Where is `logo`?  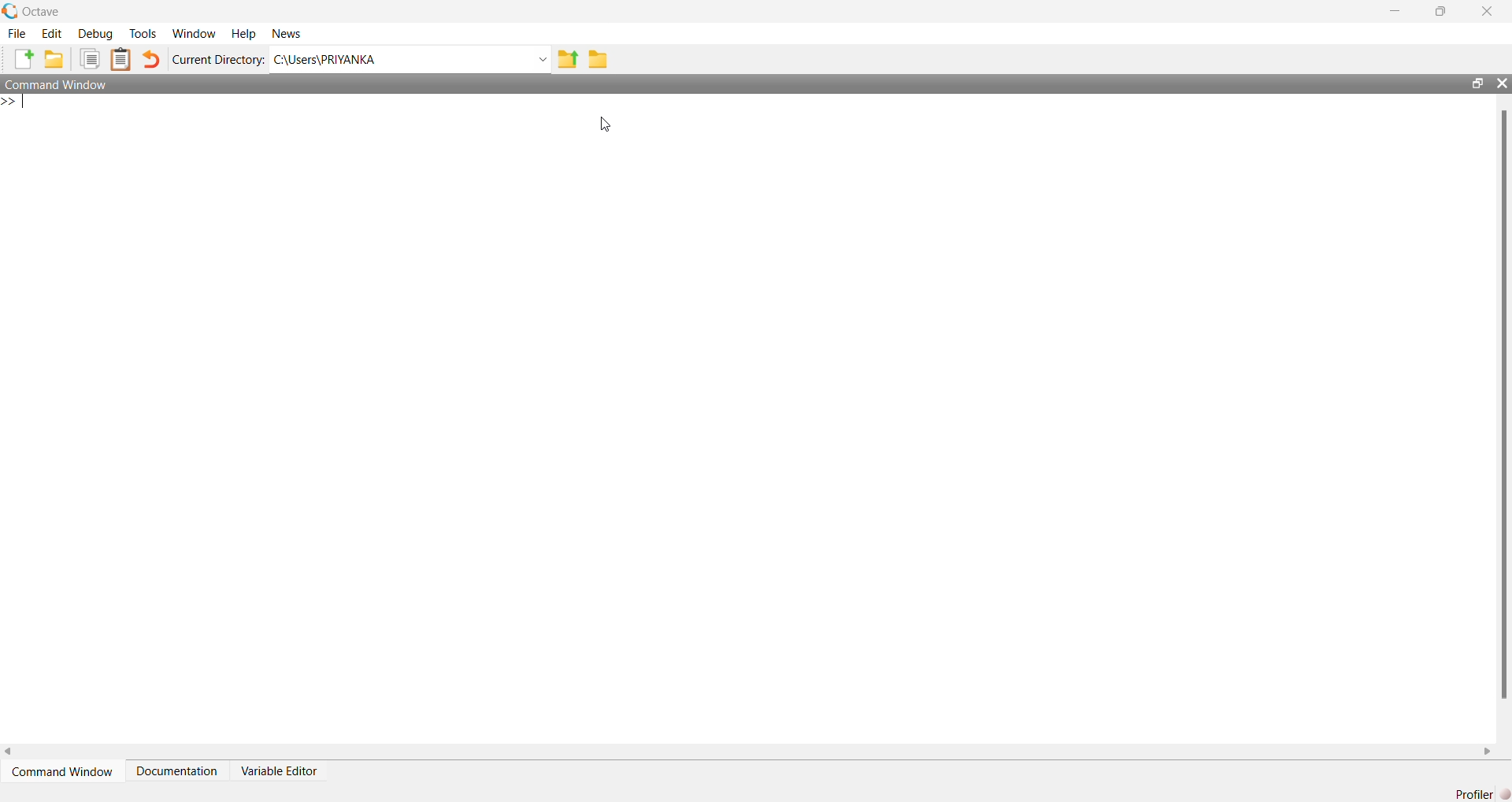 logo is located at coordinates (10, 11).